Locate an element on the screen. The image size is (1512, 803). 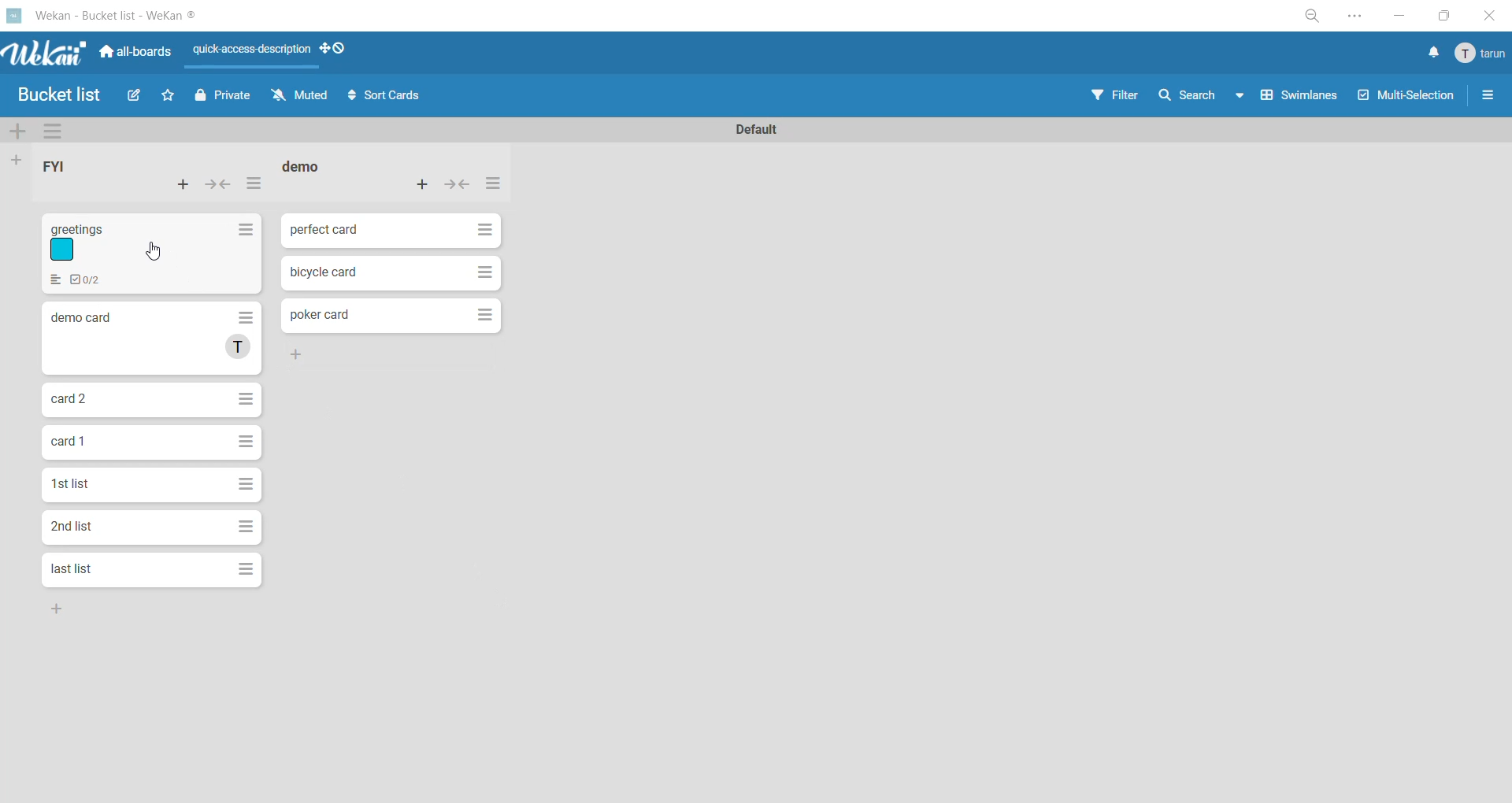
search is located at coordinates (1187, 98).